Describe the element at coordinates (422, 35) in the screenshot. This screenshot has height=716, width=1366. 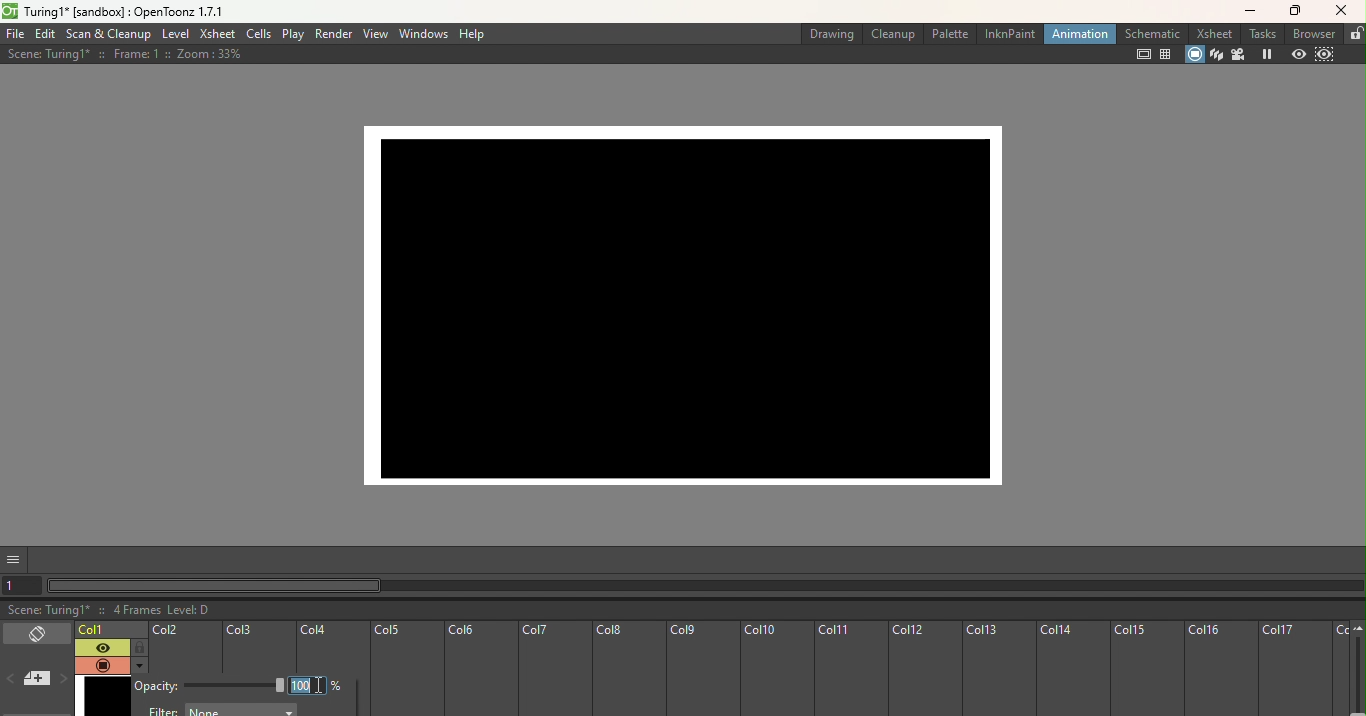
I see `Windows` at that location.